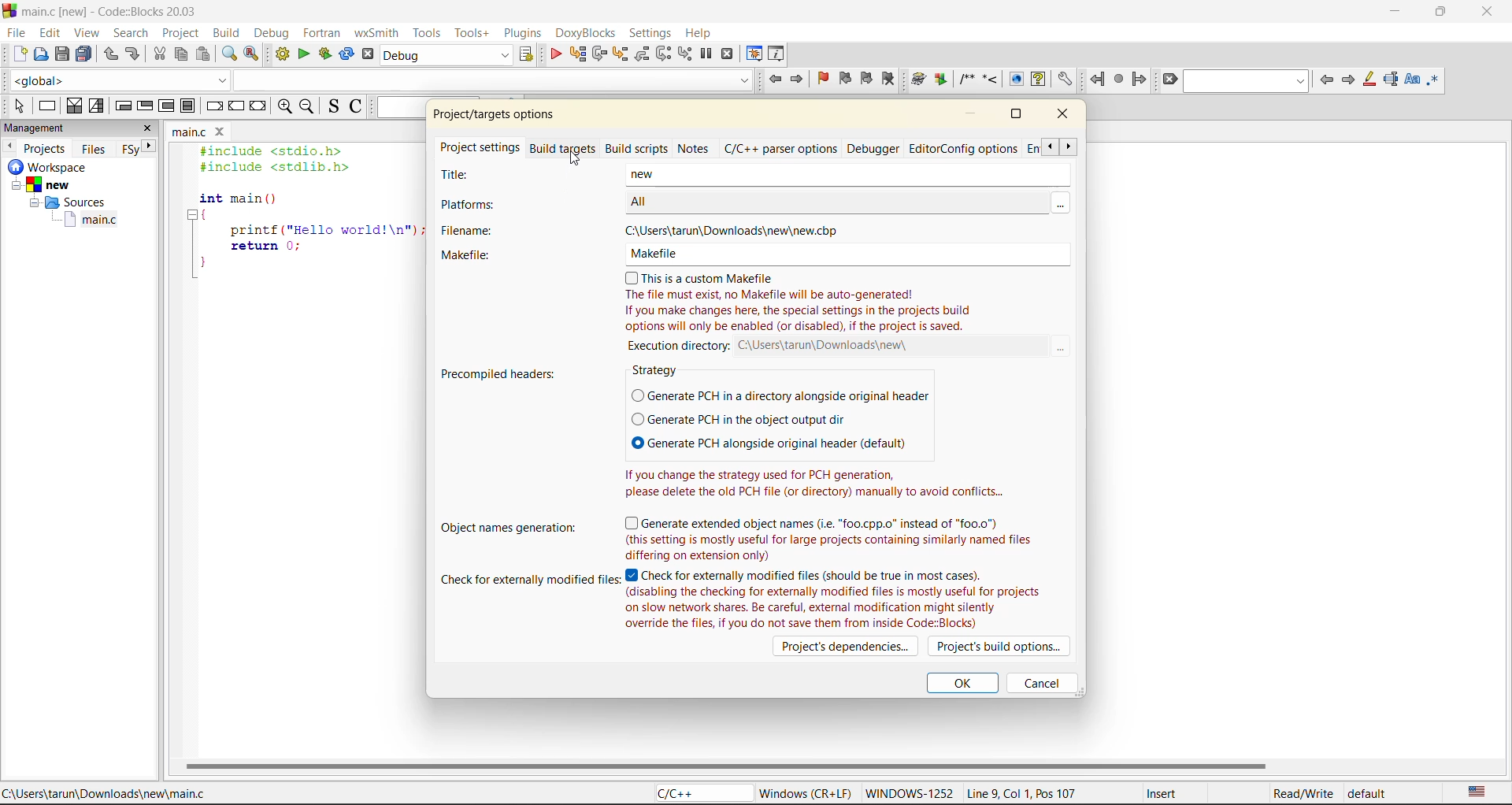  I want to click on #include <stdio.h>

#include <stdlib.h>

int main ()

{
printf ("Hello world!\n");
return 0;

}, so click(305, 215).